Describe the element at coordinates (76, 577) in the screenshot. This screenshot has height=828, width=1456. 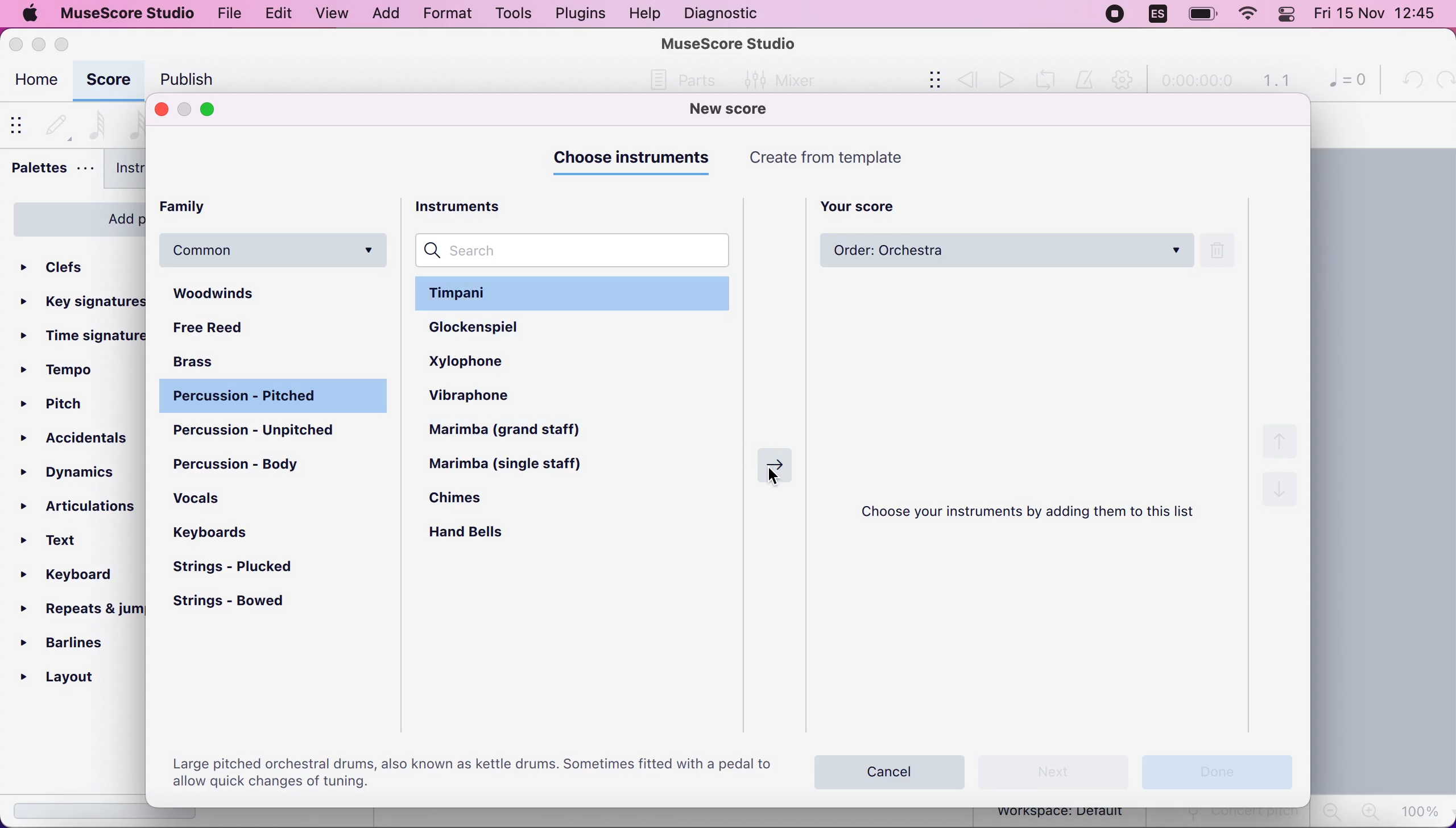
I see `keyboard` at that location.